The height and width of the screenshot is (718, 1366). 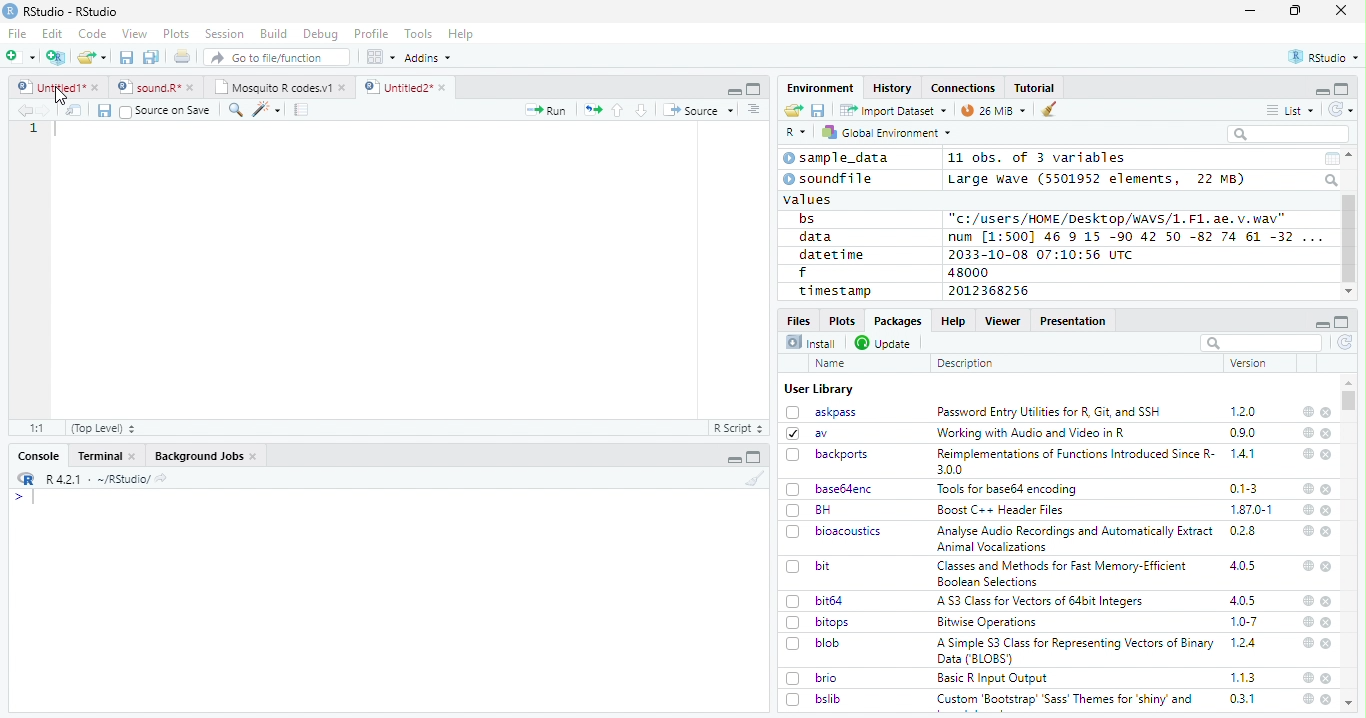 What do you see at coordinates (1009, 489) in the screenshot?
I see `Tools for baseb4 encoding` at bounding box center [1009, 489].